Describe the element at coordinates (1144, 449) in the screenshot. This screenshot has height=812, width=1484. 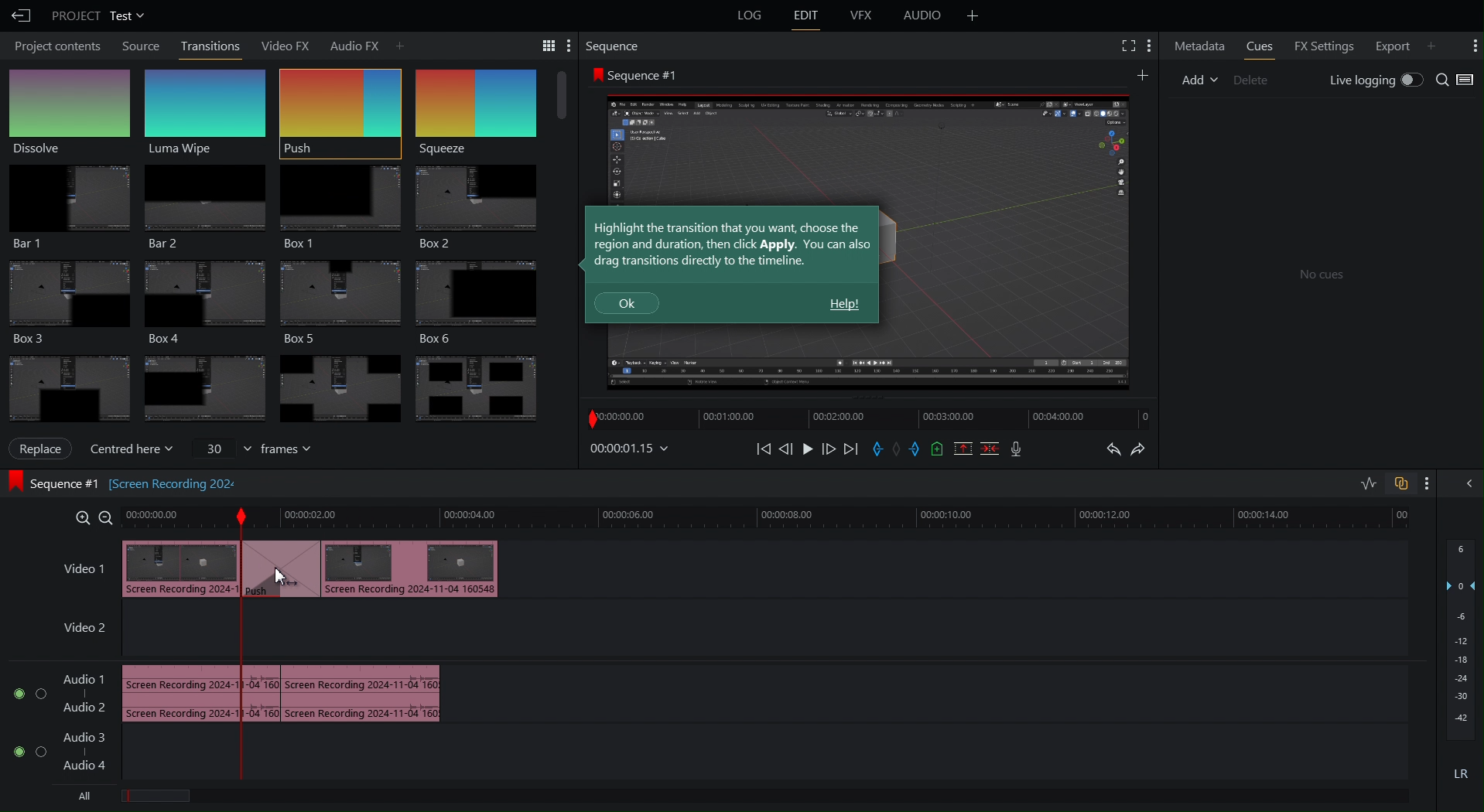
I see `Redo` at that location.